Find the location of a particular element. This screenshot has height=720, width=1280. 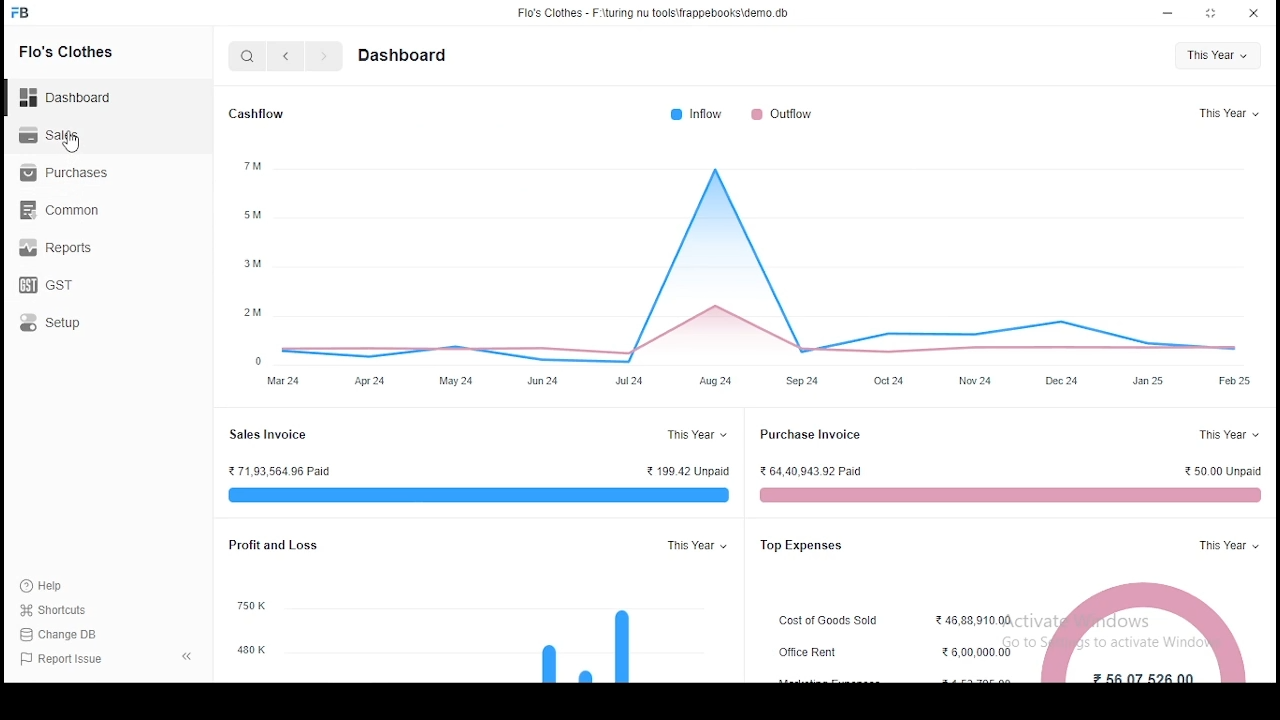

dashboard is located at coordinates (400, 56).